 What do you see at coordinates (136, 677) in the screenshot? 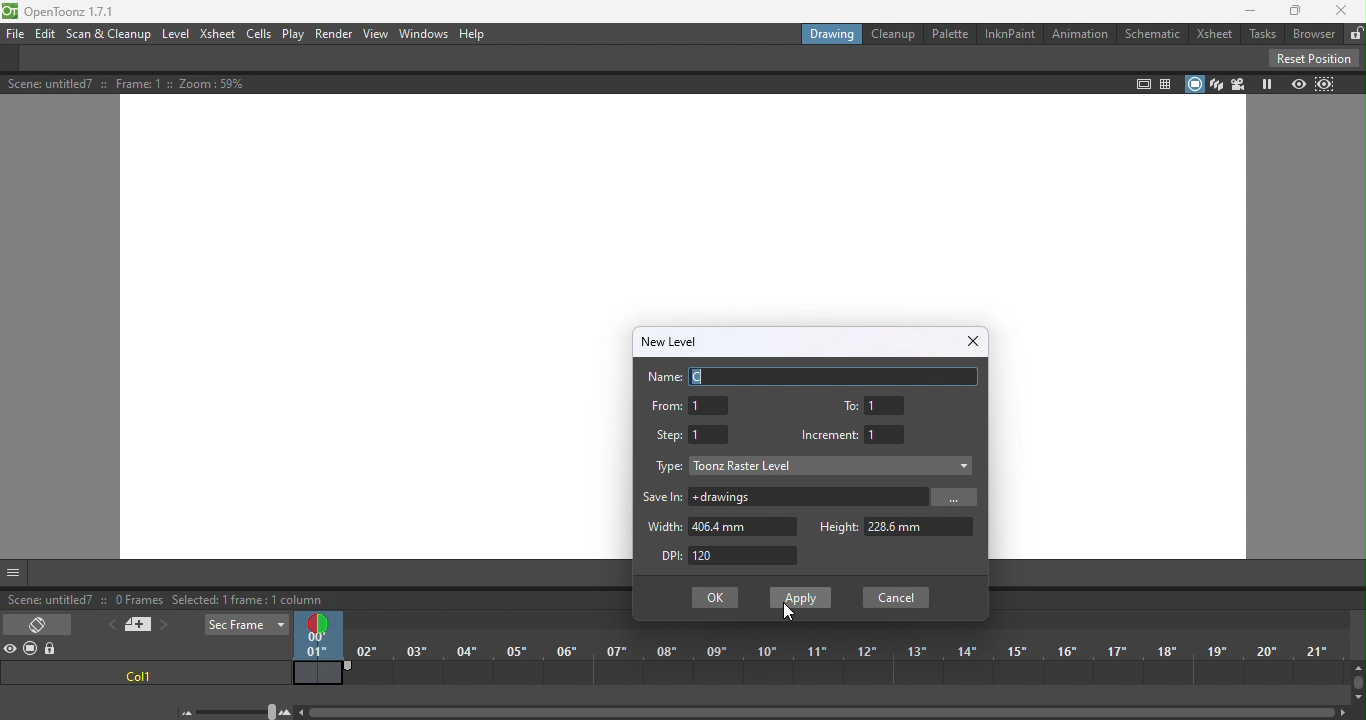
I see `col1` at bounding box center [136, 677].